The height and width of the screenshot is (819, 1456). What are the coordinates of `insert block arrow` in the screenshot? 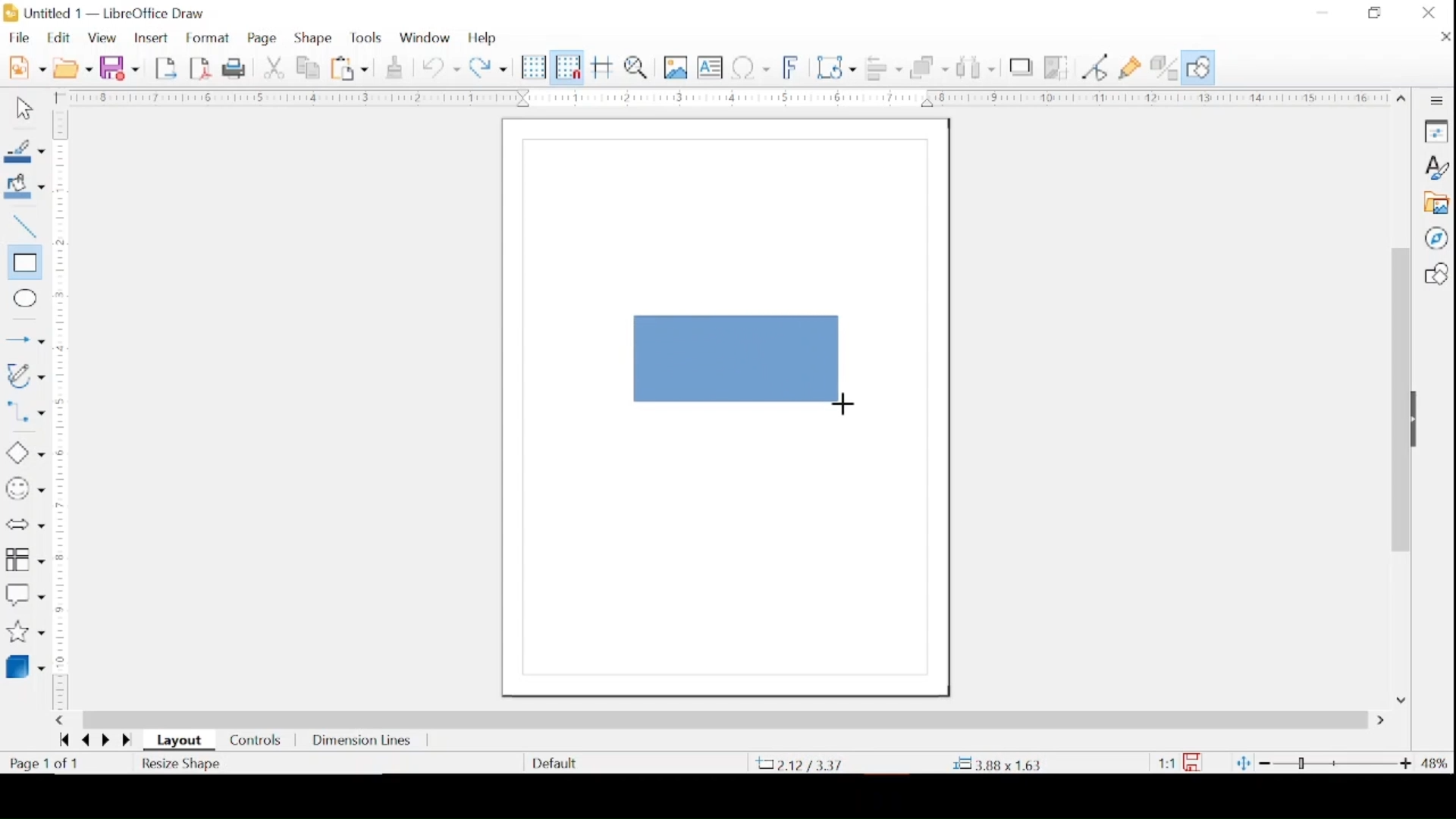 It's located at (24, 526).